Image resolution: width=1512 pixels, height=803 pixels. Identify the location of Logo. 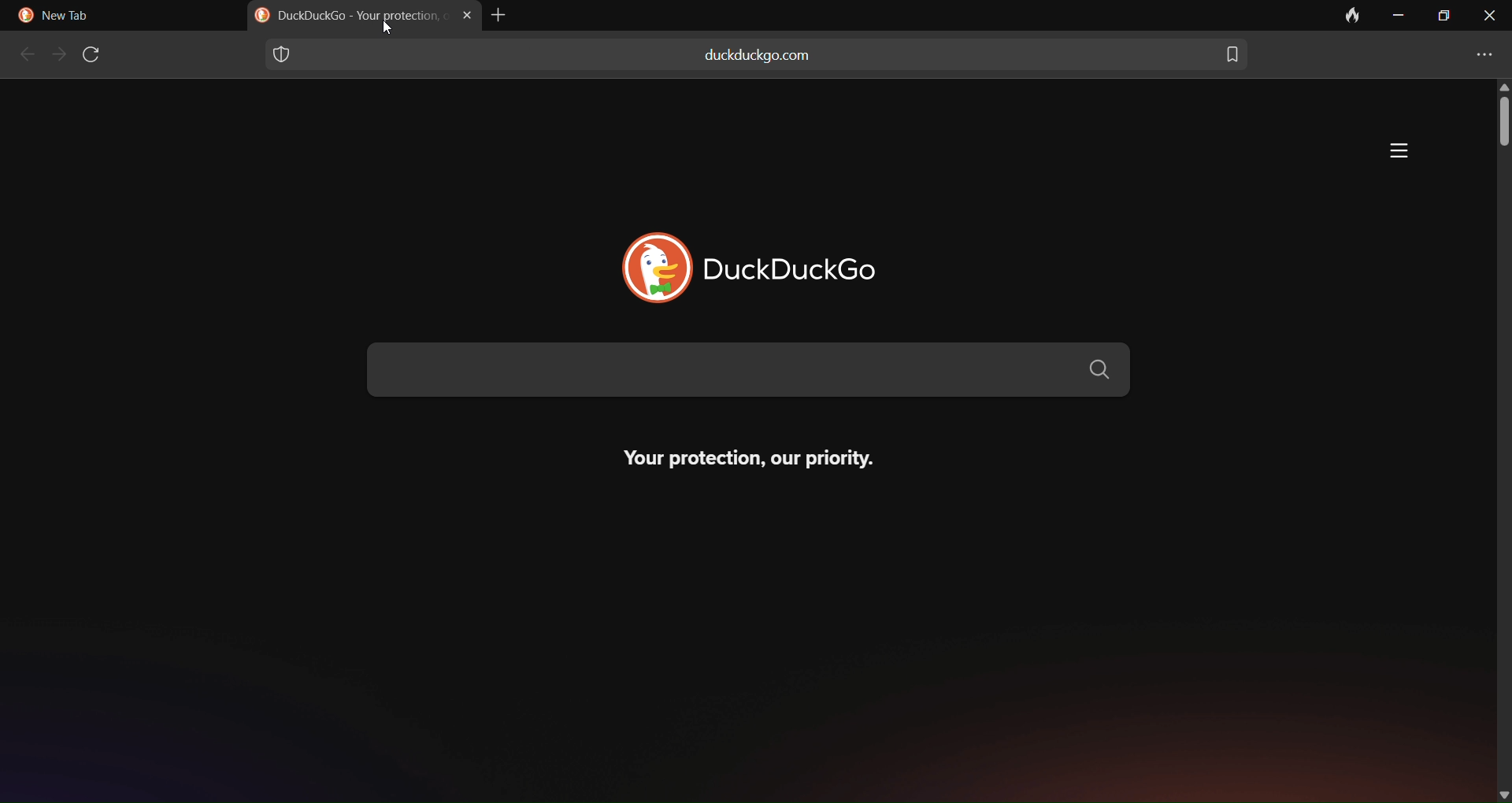
(644, 261).